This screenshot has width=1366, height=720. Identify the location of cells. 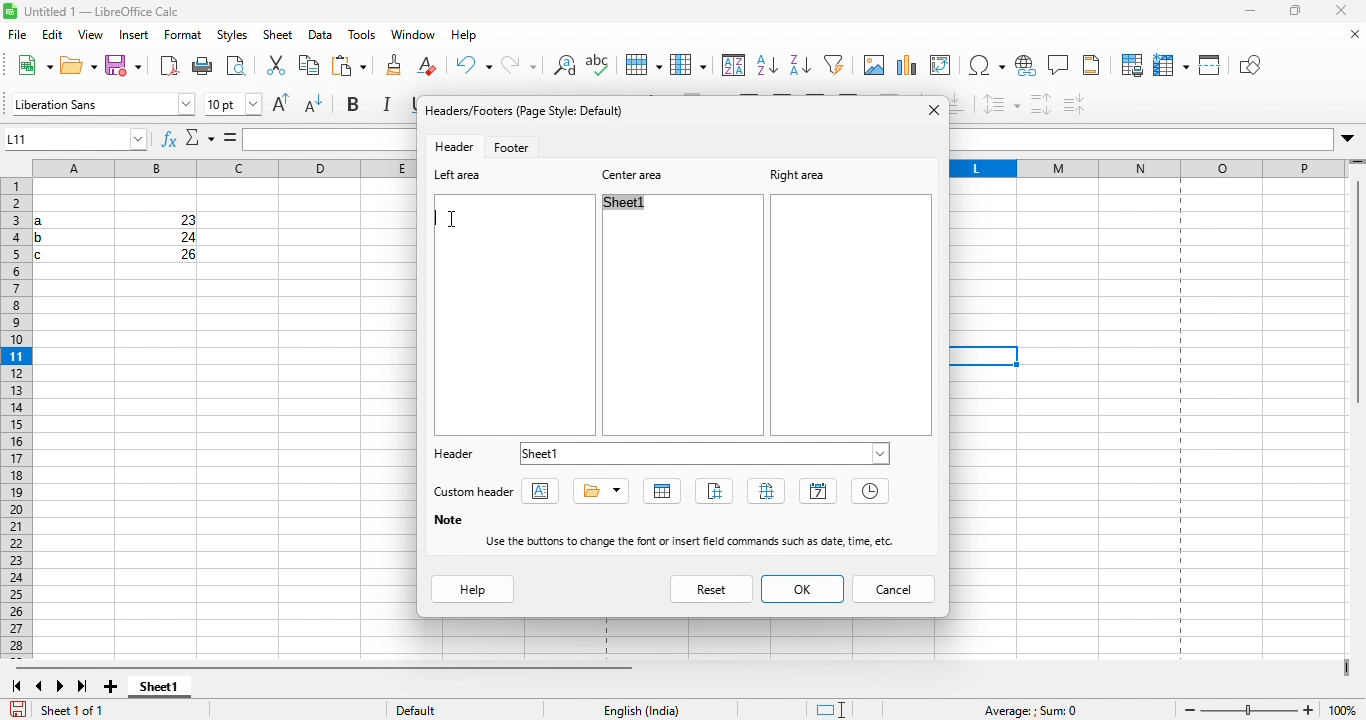
(113, 239).